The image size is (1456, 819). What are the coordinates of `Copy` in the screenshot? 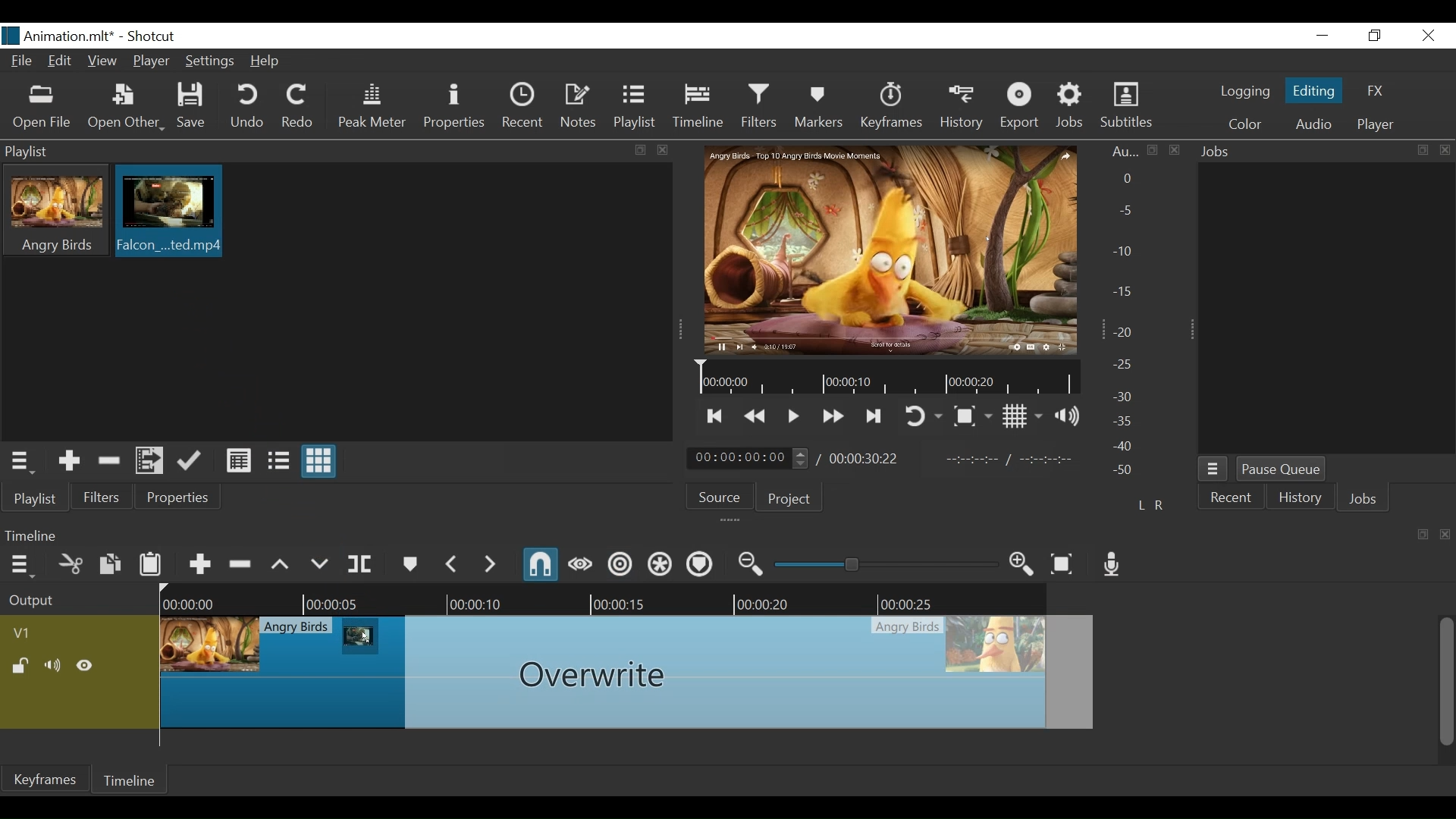 It's located at (110, 563).